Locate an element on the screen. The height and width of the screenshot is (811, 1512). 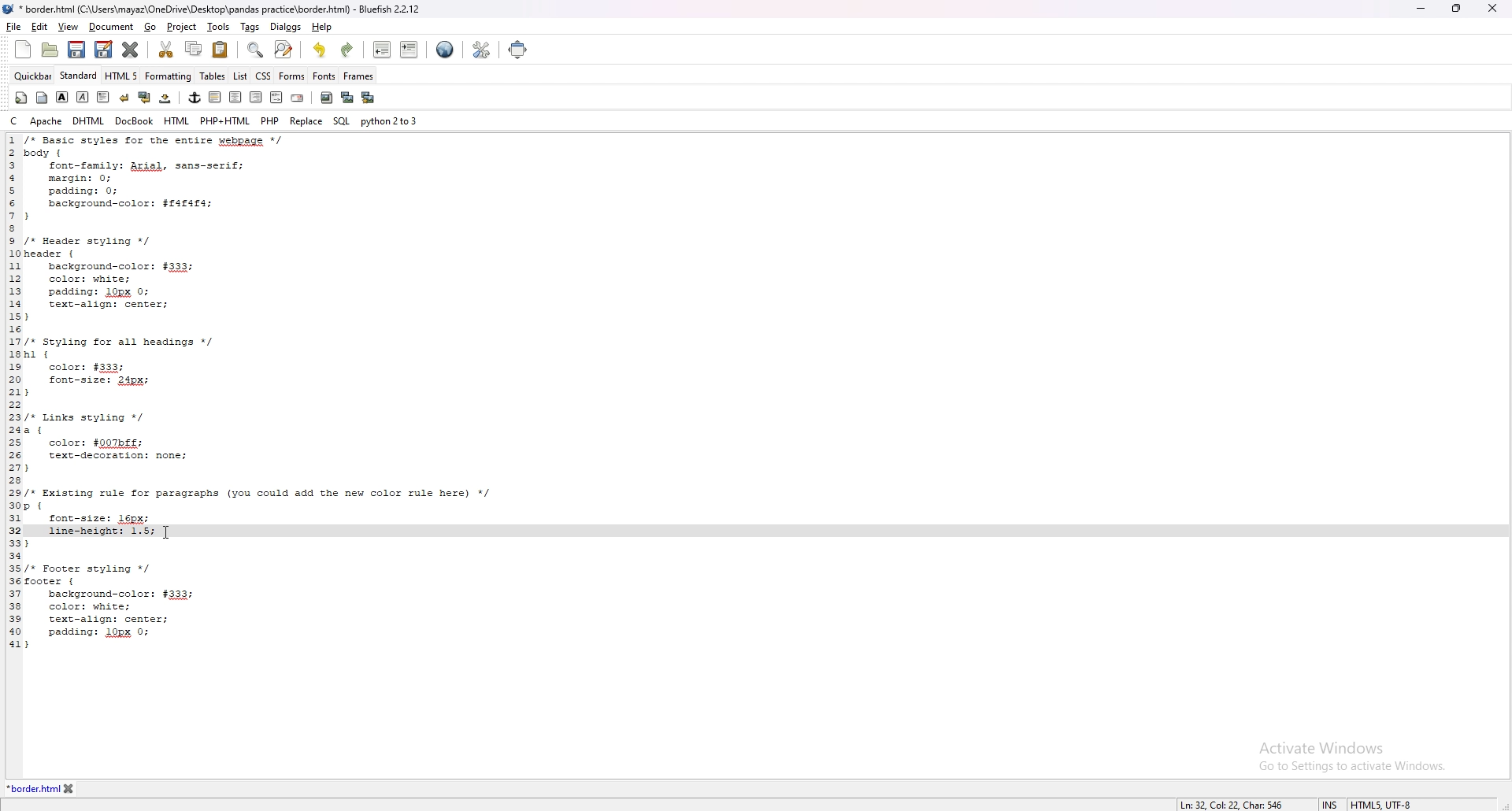
frames is located at coordinates (358, 76).